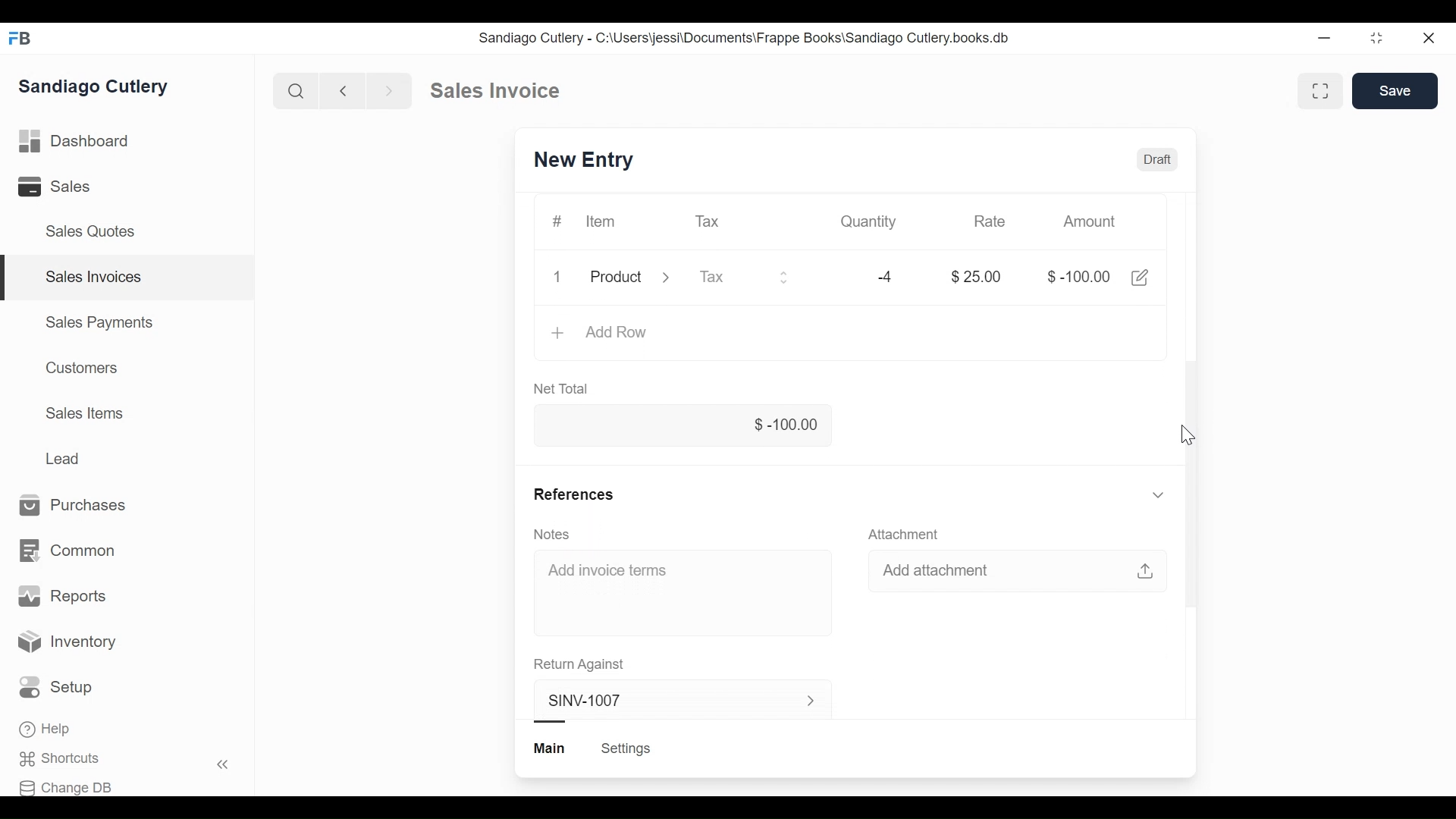  I want to click on Vertical scrollbar, so click(1194, 482).